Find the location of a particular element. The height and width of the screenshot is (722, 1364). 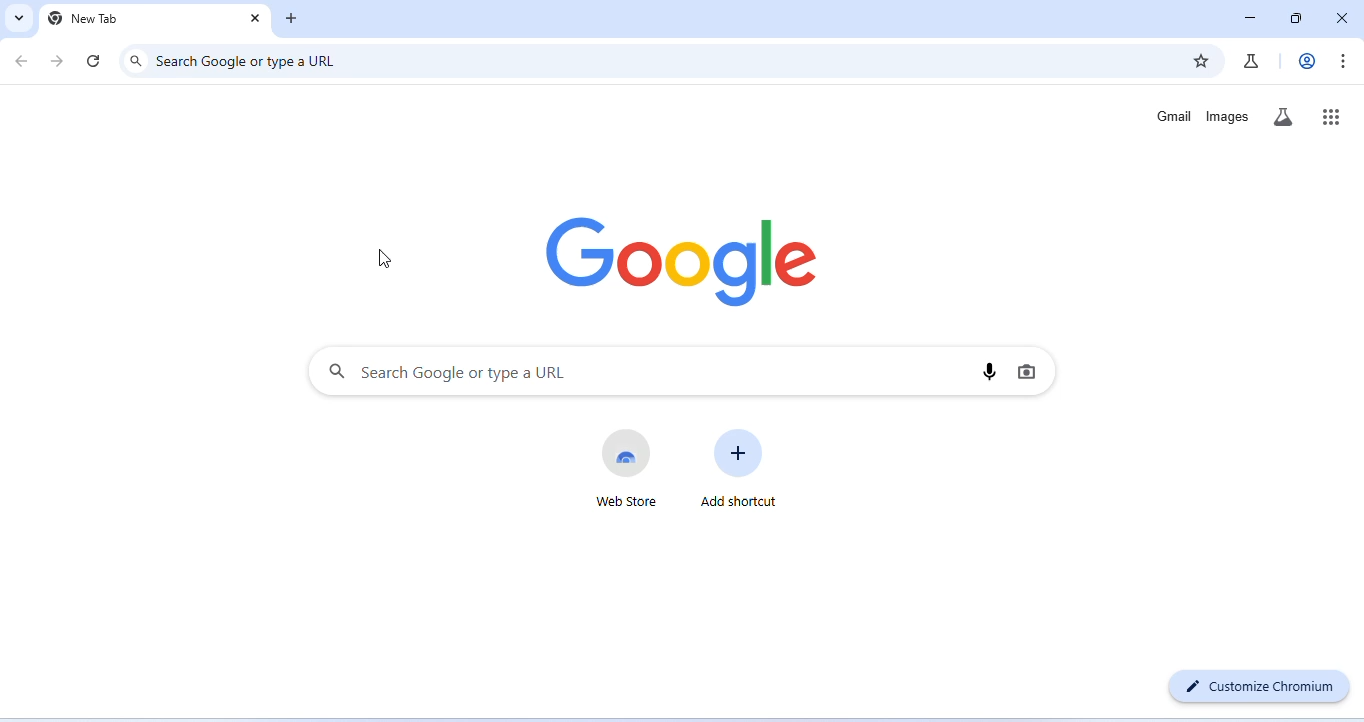

maximize is located at coordinates (1298, 18).